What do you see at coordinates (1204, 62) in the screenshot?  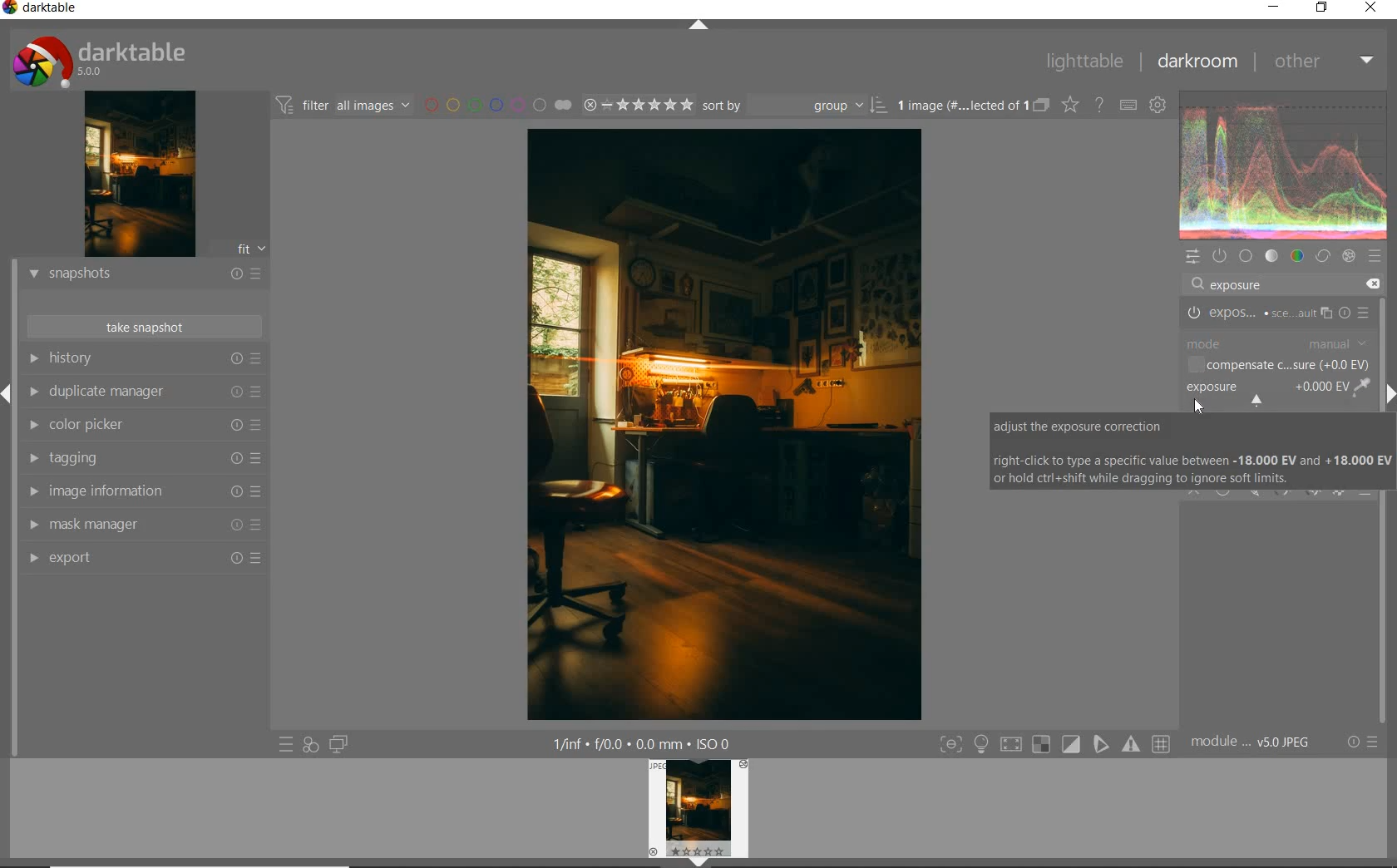 I see `darkroom` at bounding box center [1204, 62].